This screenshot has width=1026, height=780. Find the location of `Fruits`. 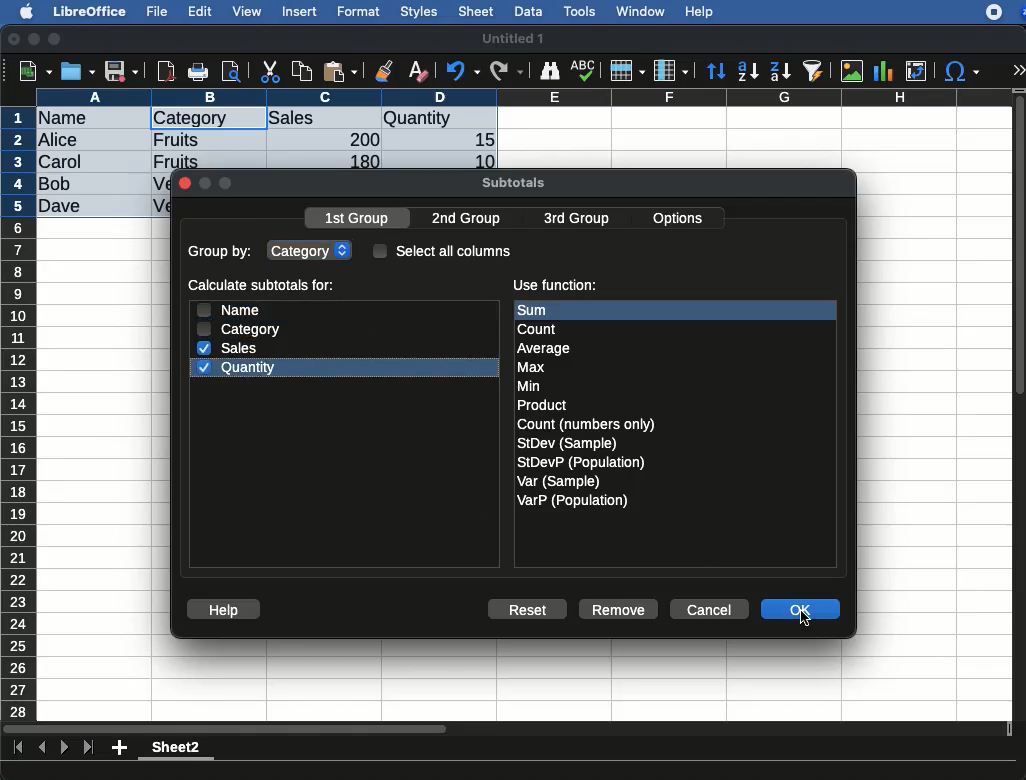

Fruits is located at coordinates (176, 160).